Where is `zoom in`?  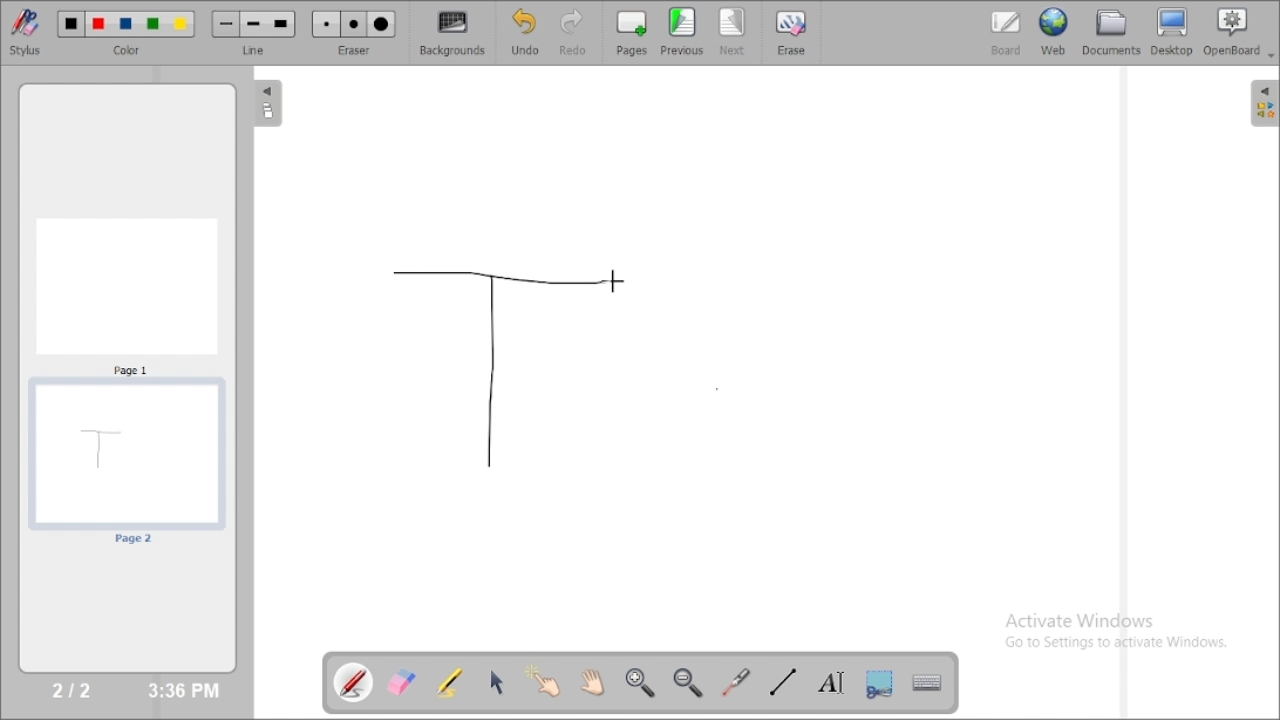
zoom in is located at coordinates (639, 683).